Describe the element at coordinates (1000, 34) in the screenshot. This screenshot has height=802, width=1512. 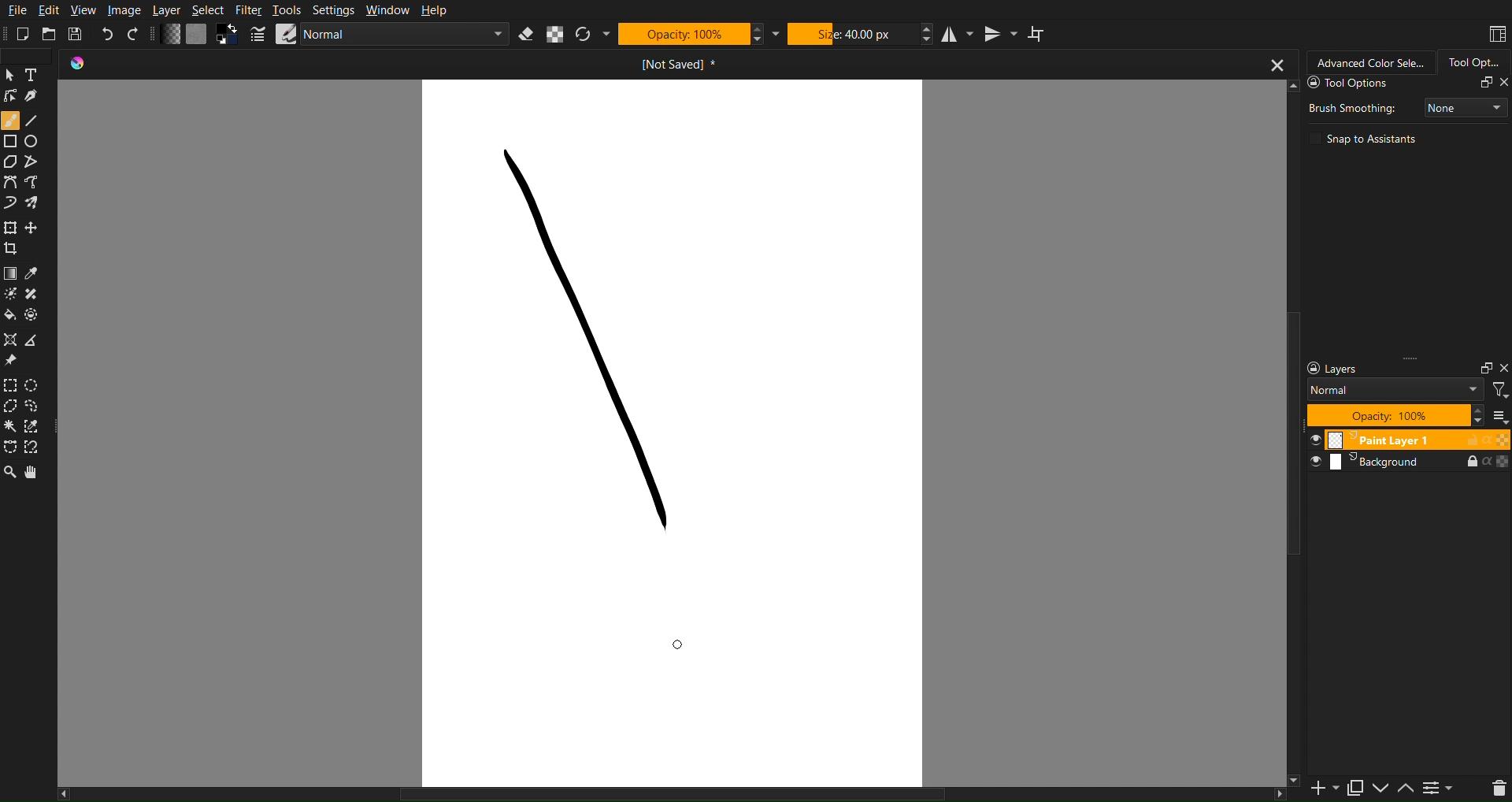
I see `Vertical Mirror` at that location.